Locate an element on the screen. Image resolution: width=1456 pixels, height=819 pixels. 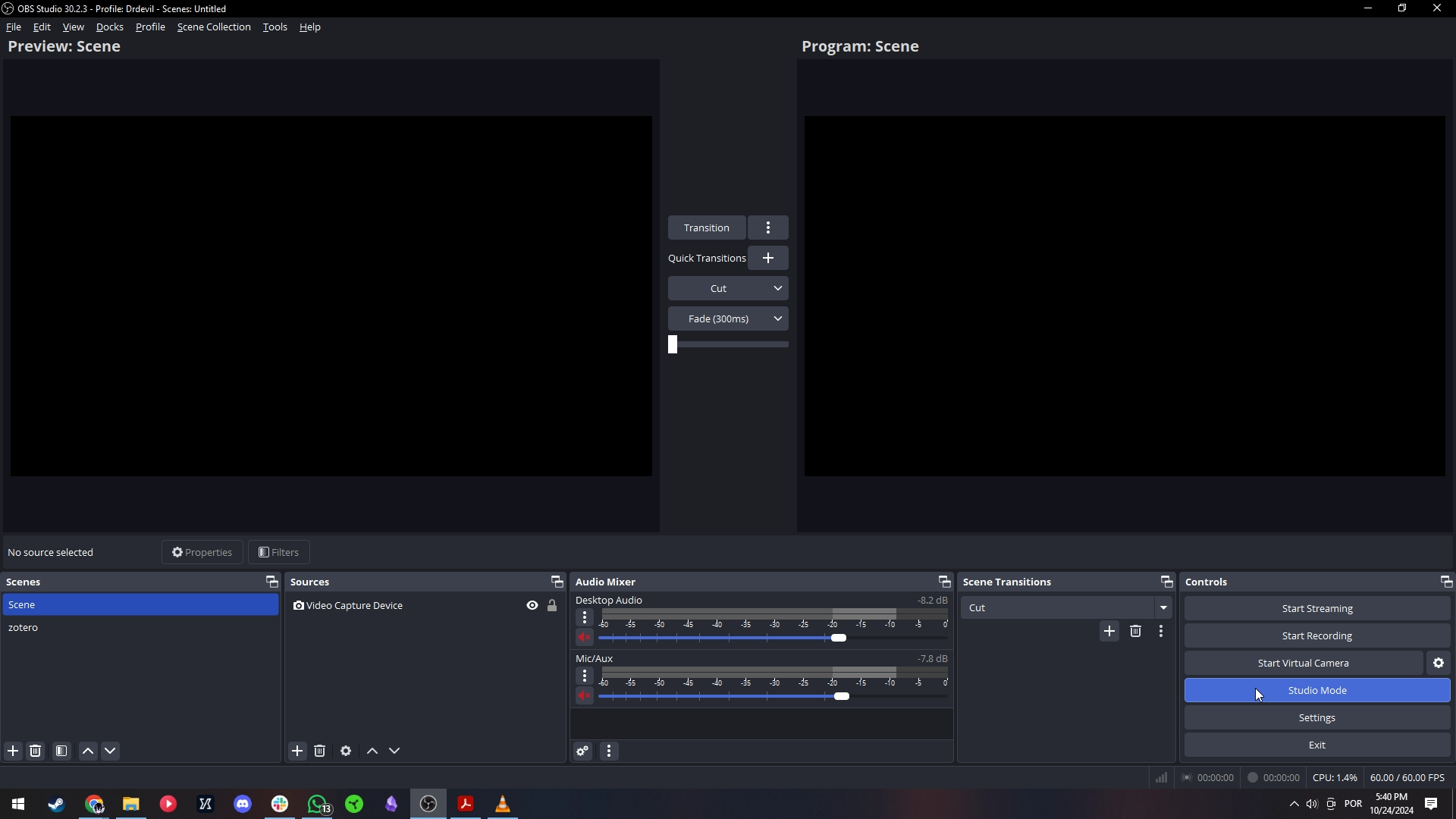
slack is located at coordinates (278, 802).